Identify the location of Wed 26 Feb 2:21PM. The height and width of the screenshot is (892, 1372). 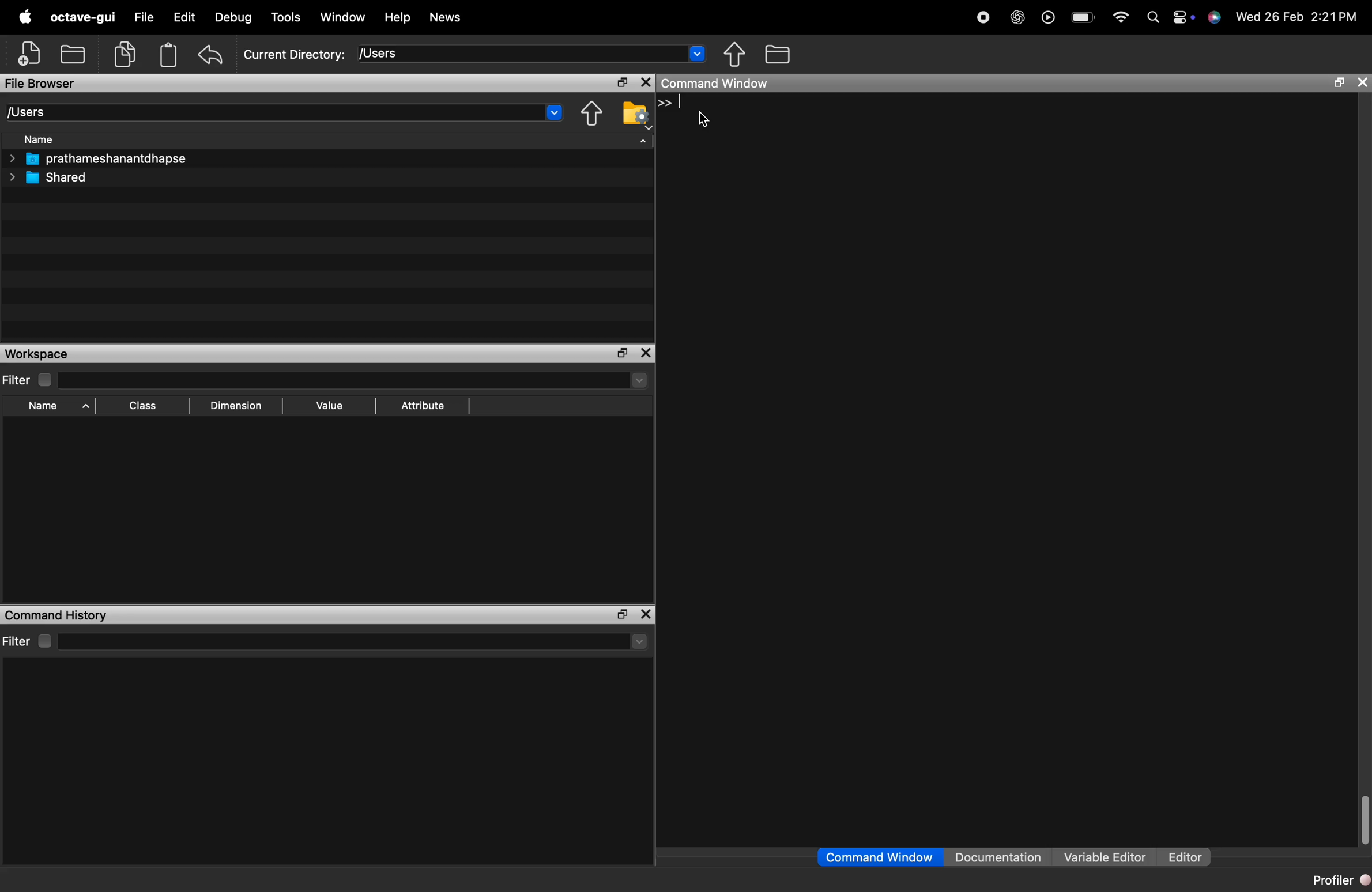
(1298, 14).